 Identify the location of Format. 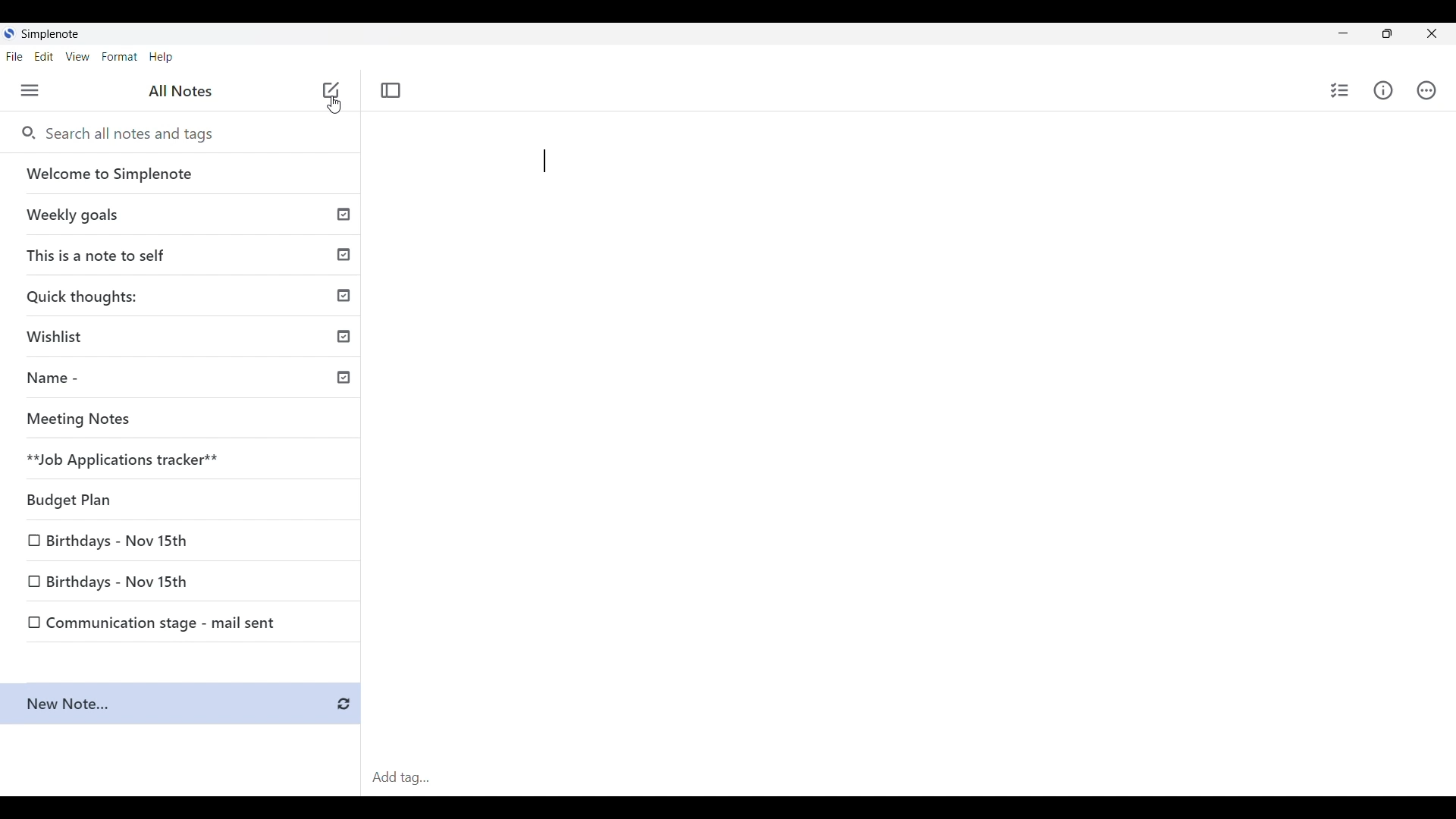
(120, 57).